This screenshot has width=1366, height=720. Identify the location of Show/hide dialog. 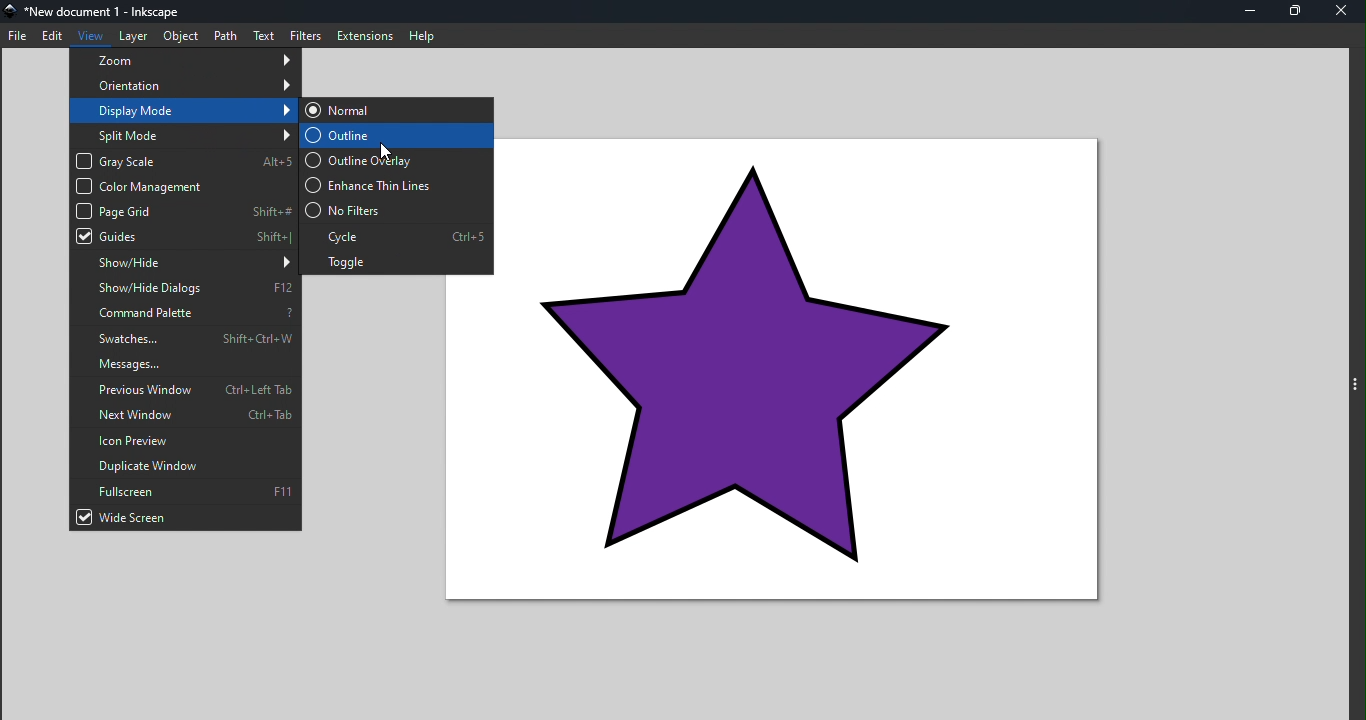
(186, 286).